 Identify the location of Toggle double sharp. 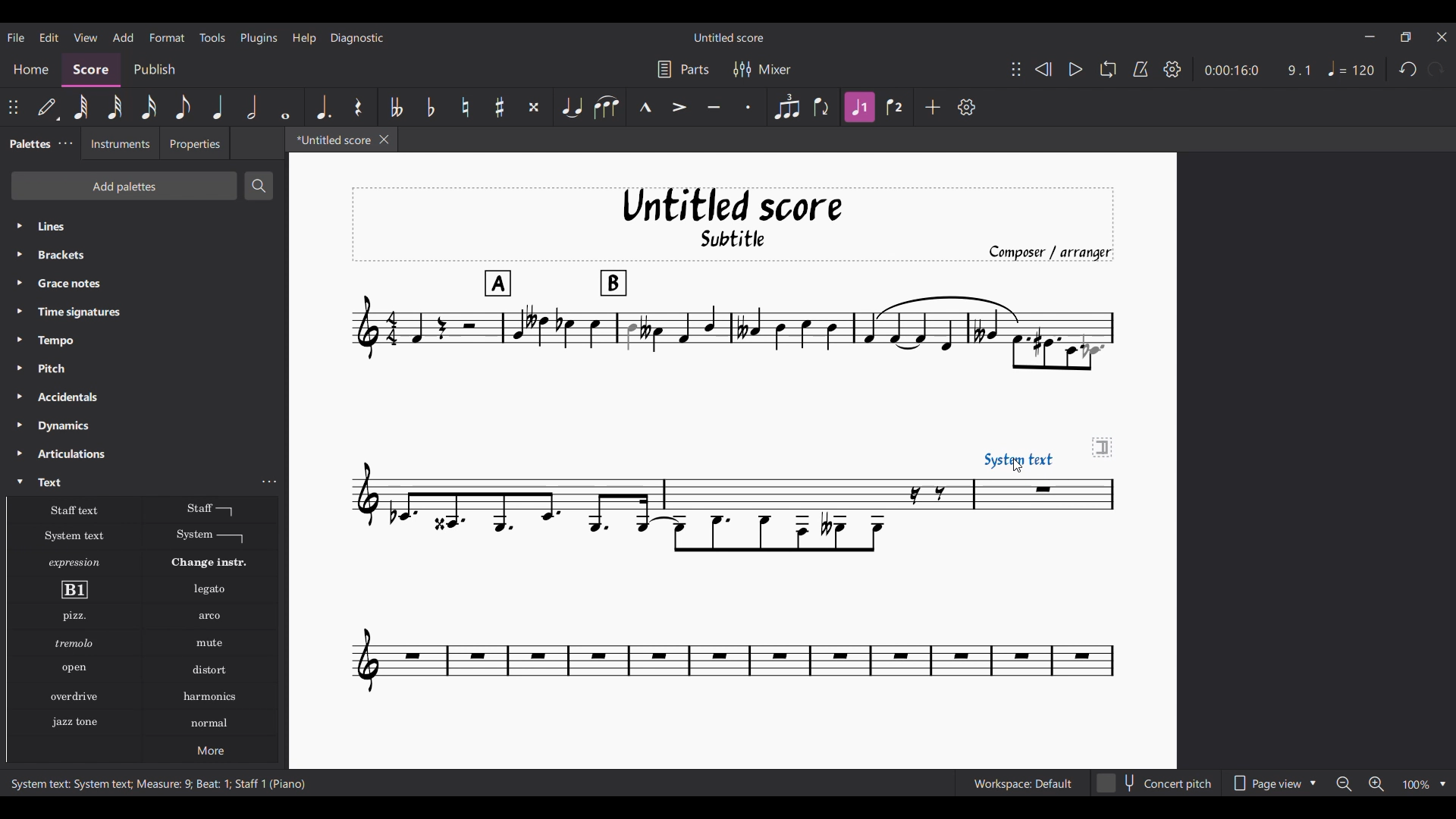
(534, 107).